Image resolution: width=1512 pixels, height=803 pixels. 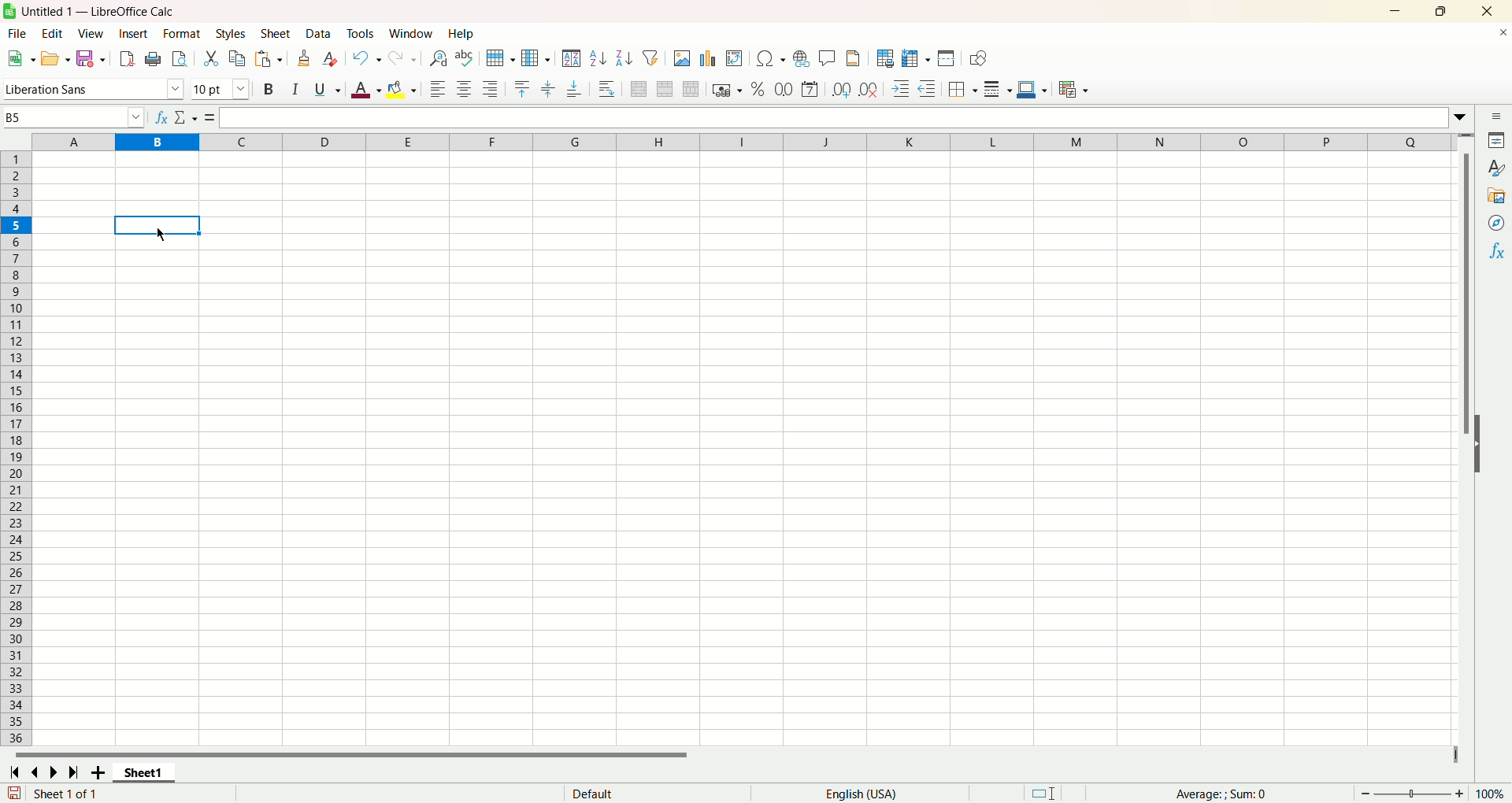 I want to click on close, so click(x=1499, y=35).